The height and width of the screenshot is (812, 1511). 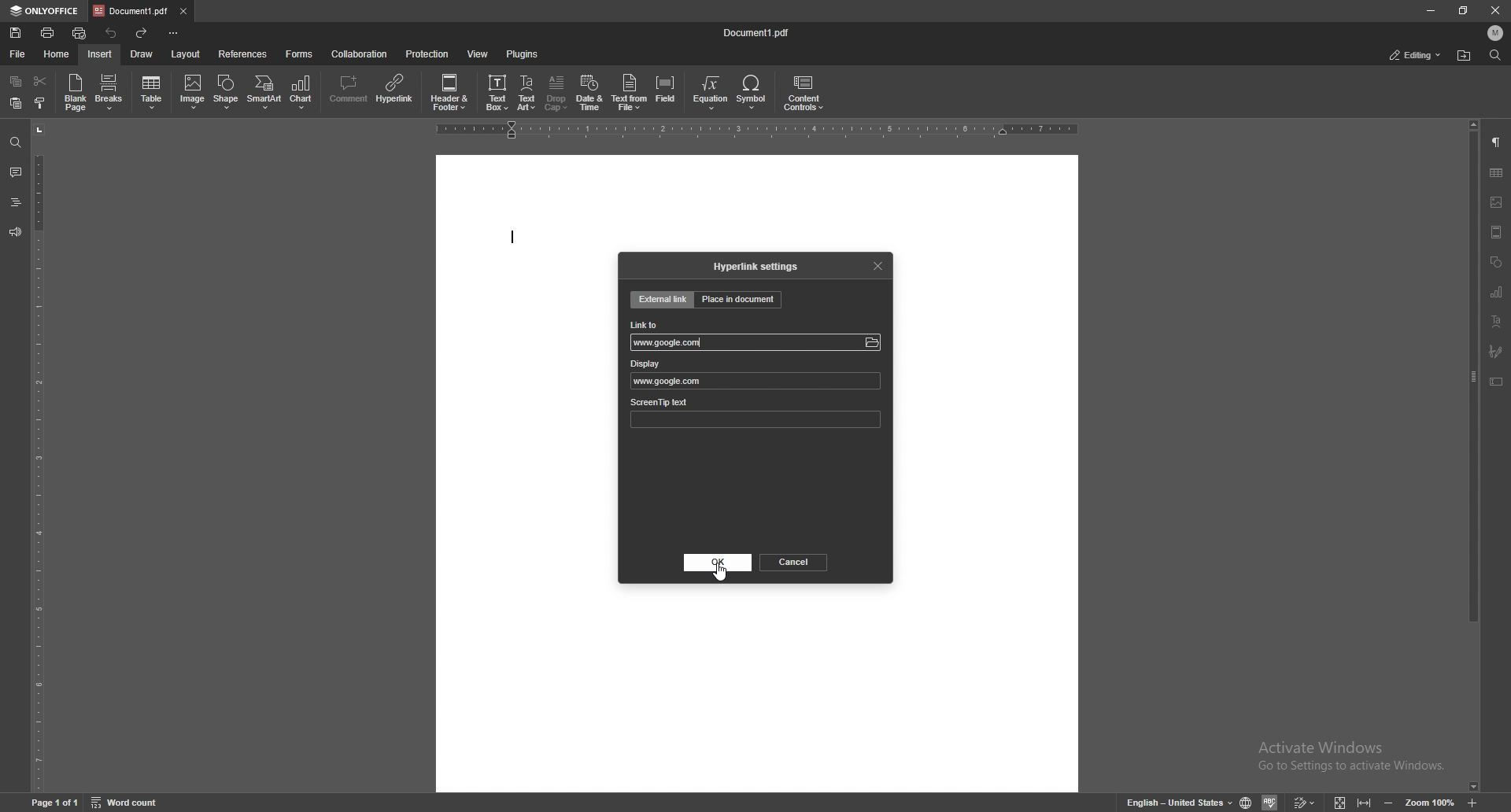 What do you see at coordinates (733, 403) in the screenshot?
I see `screentip text` at bounding box center [733, 403].